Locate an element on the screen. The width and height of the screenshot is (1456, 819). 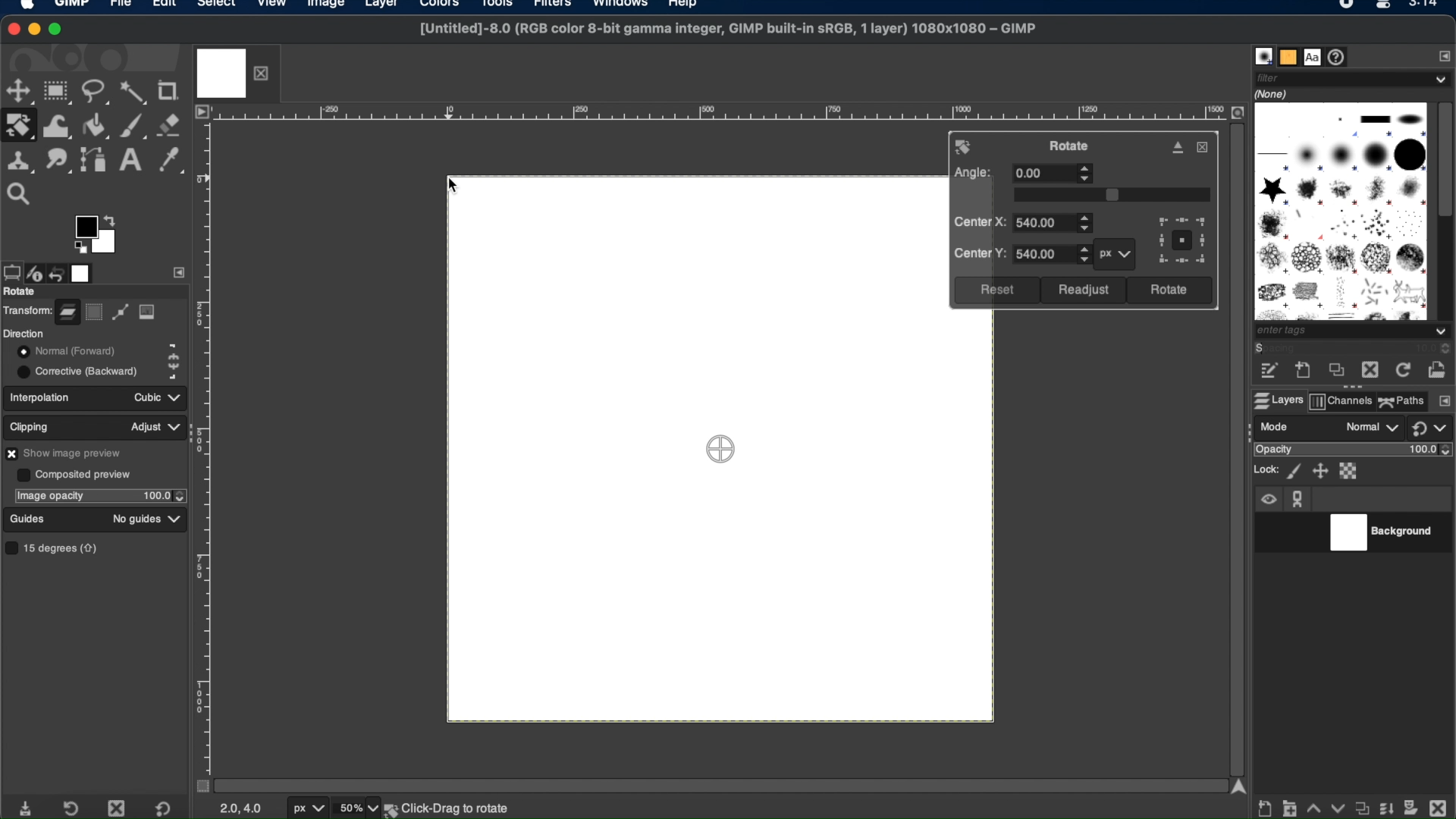
duplicate this brush is located at coordinates (1334, 372).